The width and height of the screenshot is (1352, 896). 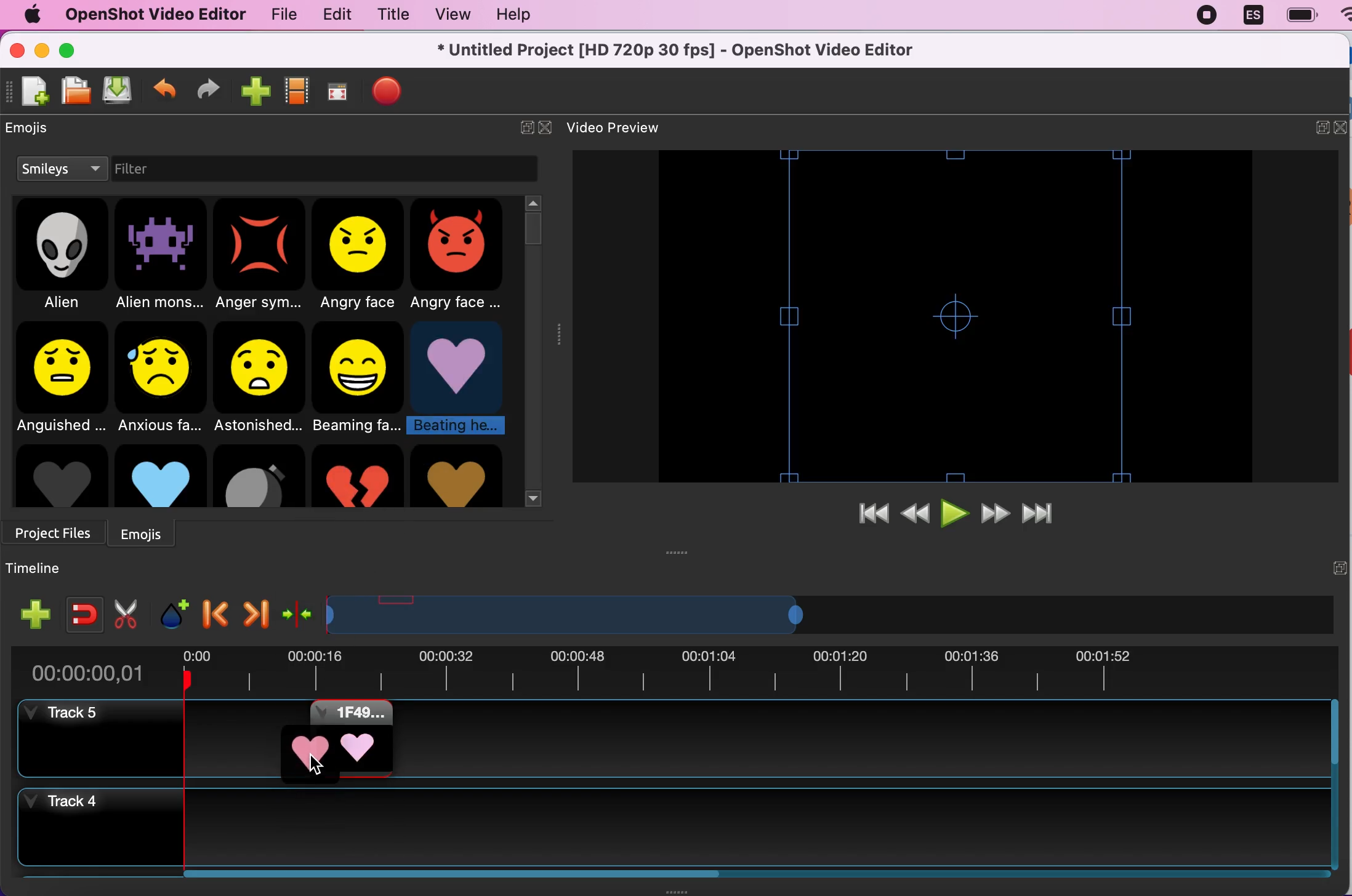 What do you see at coordinates (164, 375) in the screenshot?
I see `anxious` at bounding box center [164, 375].